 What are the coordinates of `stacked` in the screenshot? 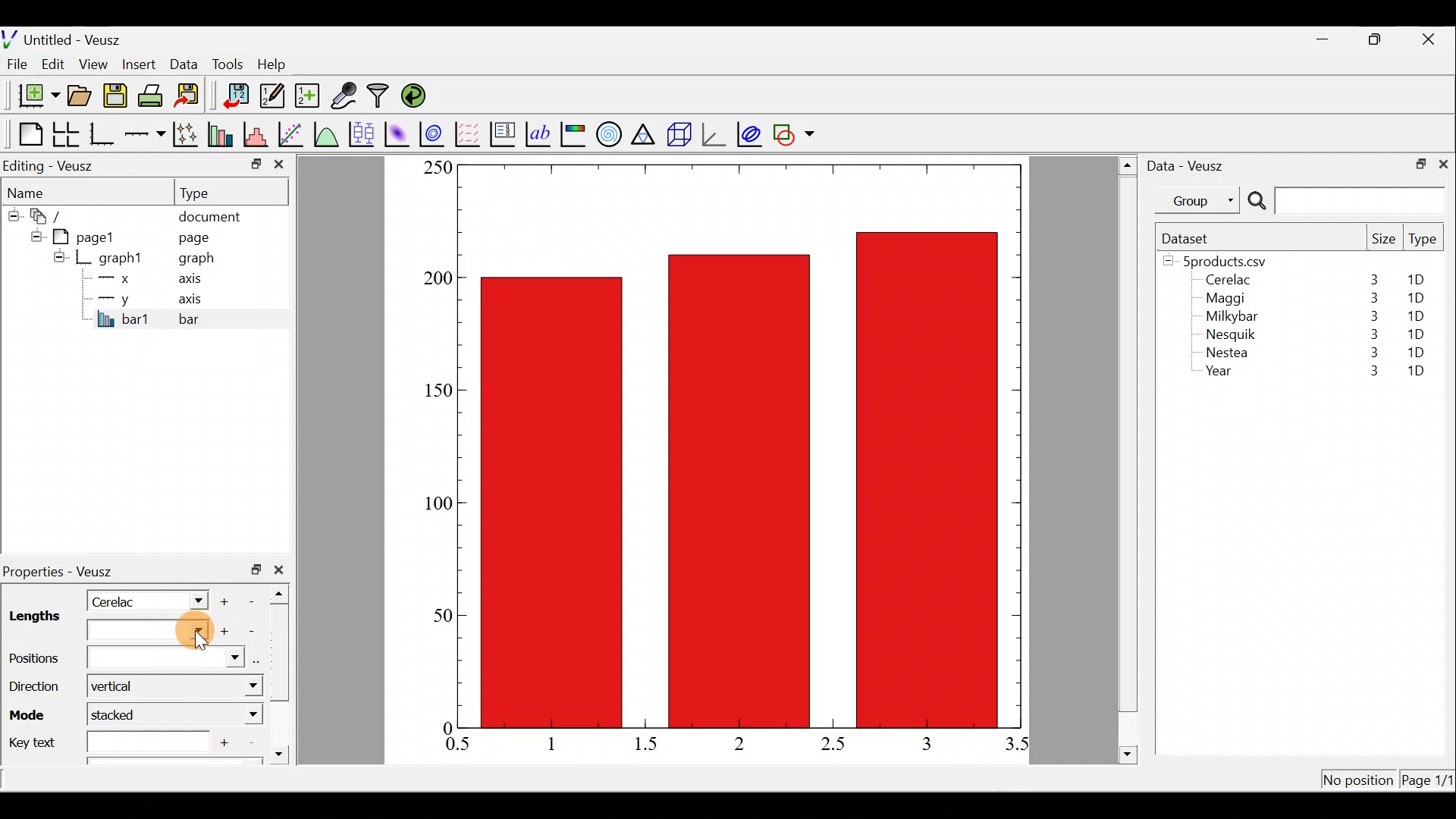 It's located at (123, 714).